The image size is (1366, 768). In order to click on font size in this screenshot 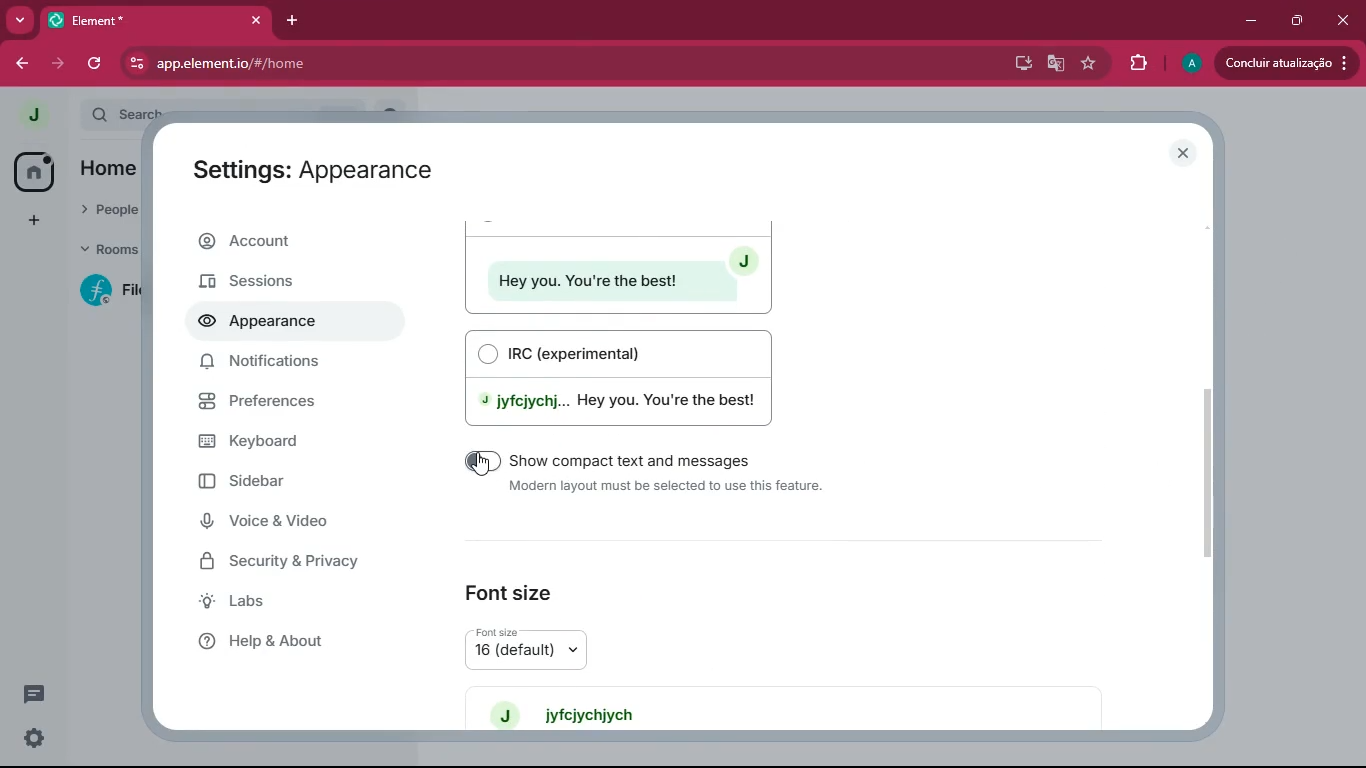, I will do `click(548, 648)`.